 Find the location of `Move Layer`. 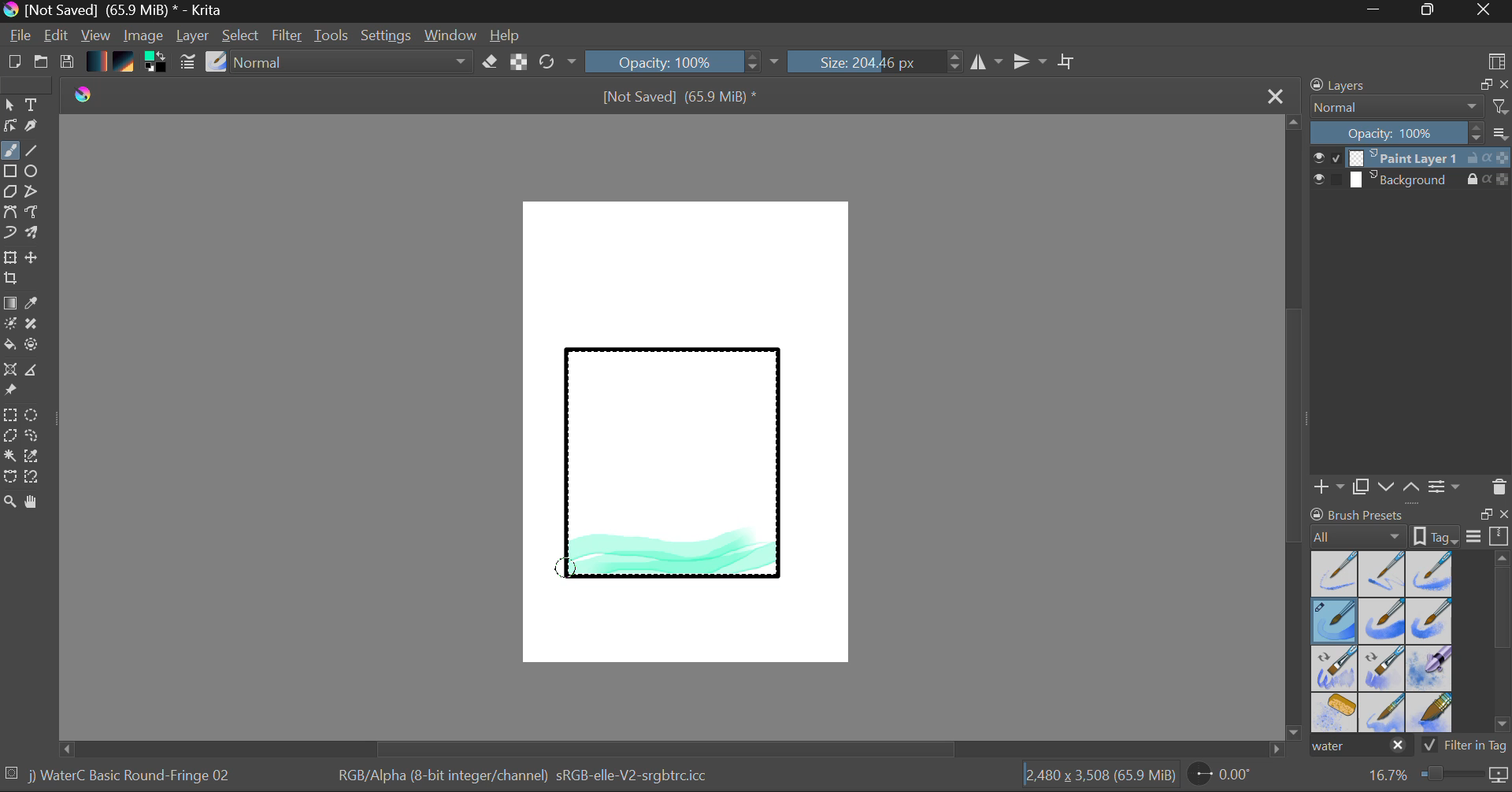

Move Layer is located at coordinates (33, 257).